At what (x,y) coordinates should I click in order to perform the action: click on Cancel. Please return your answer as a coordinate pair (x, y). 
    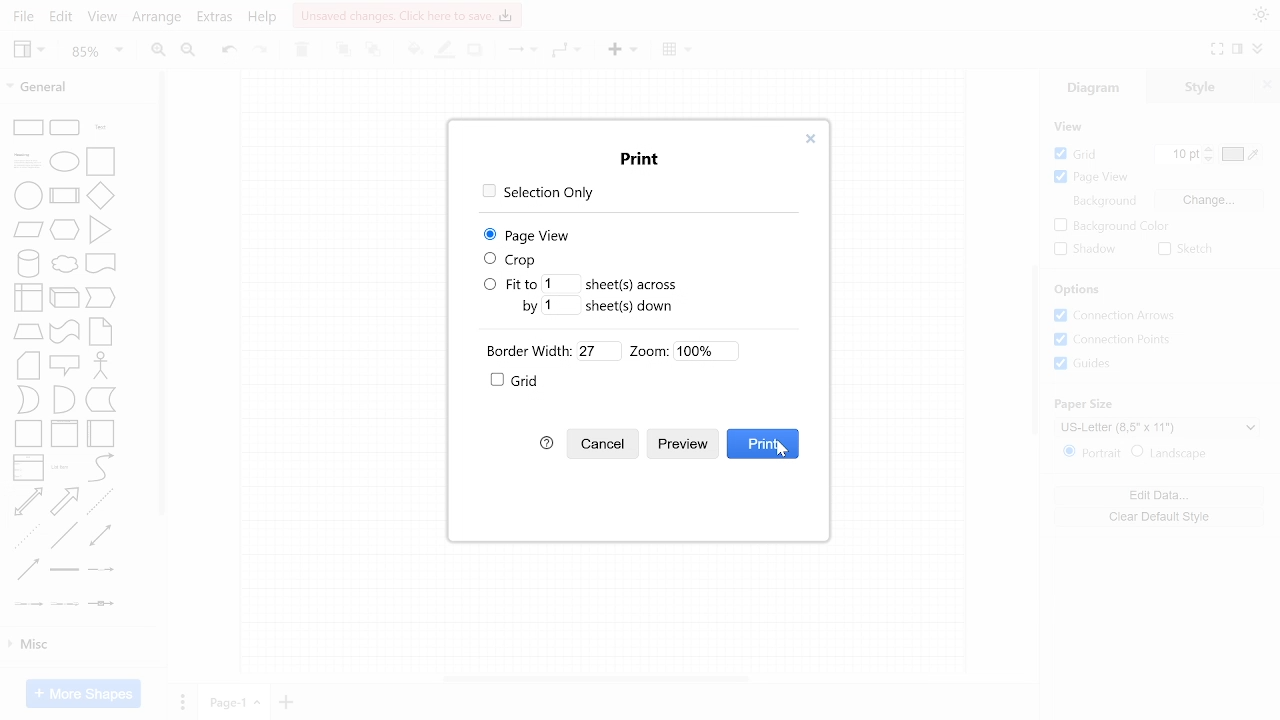
    Looking at the image, I should click on (603, 444).